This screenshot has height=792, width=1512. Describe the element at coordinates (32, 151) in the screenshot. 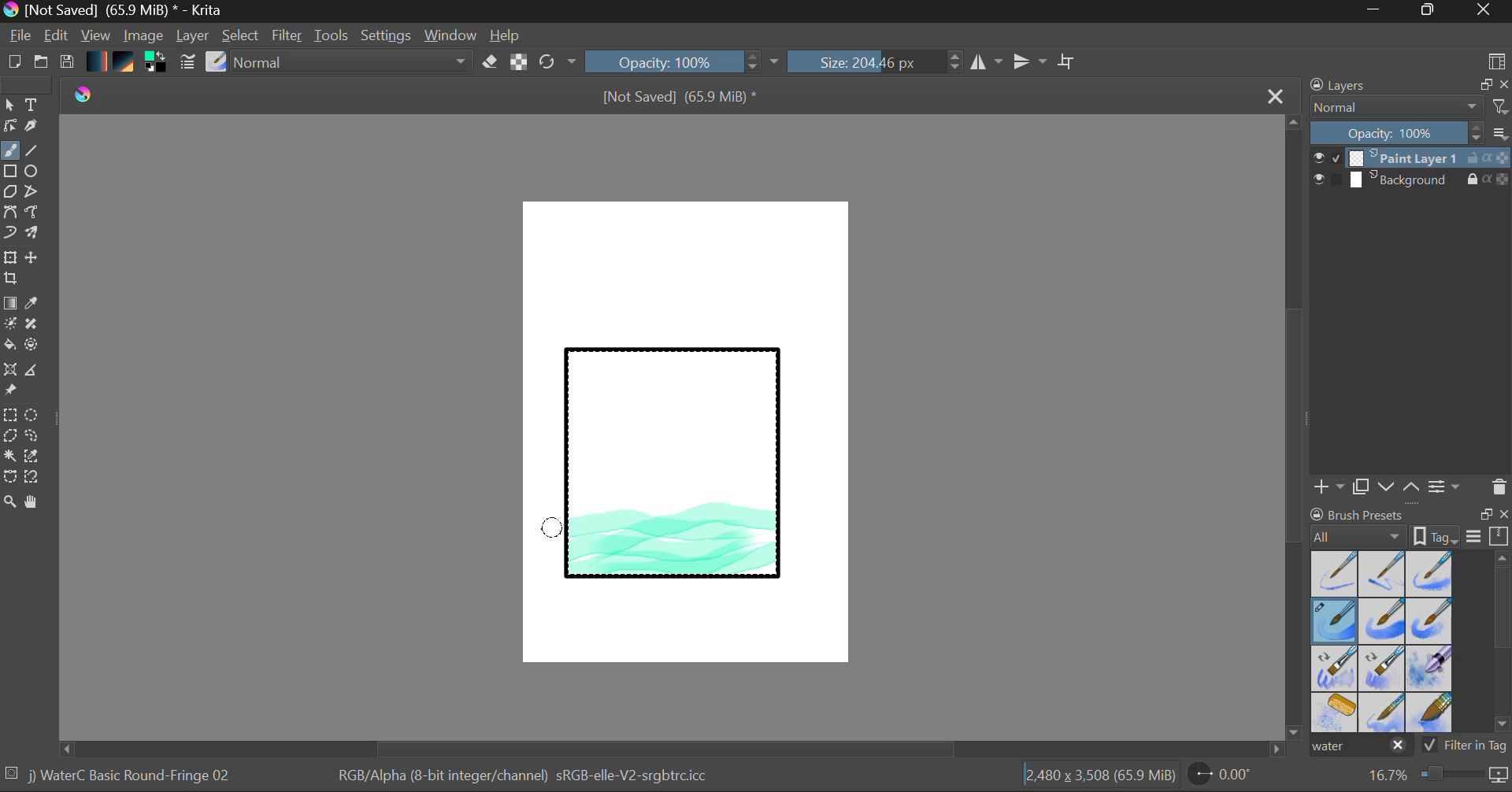

I see `Line` at that location.